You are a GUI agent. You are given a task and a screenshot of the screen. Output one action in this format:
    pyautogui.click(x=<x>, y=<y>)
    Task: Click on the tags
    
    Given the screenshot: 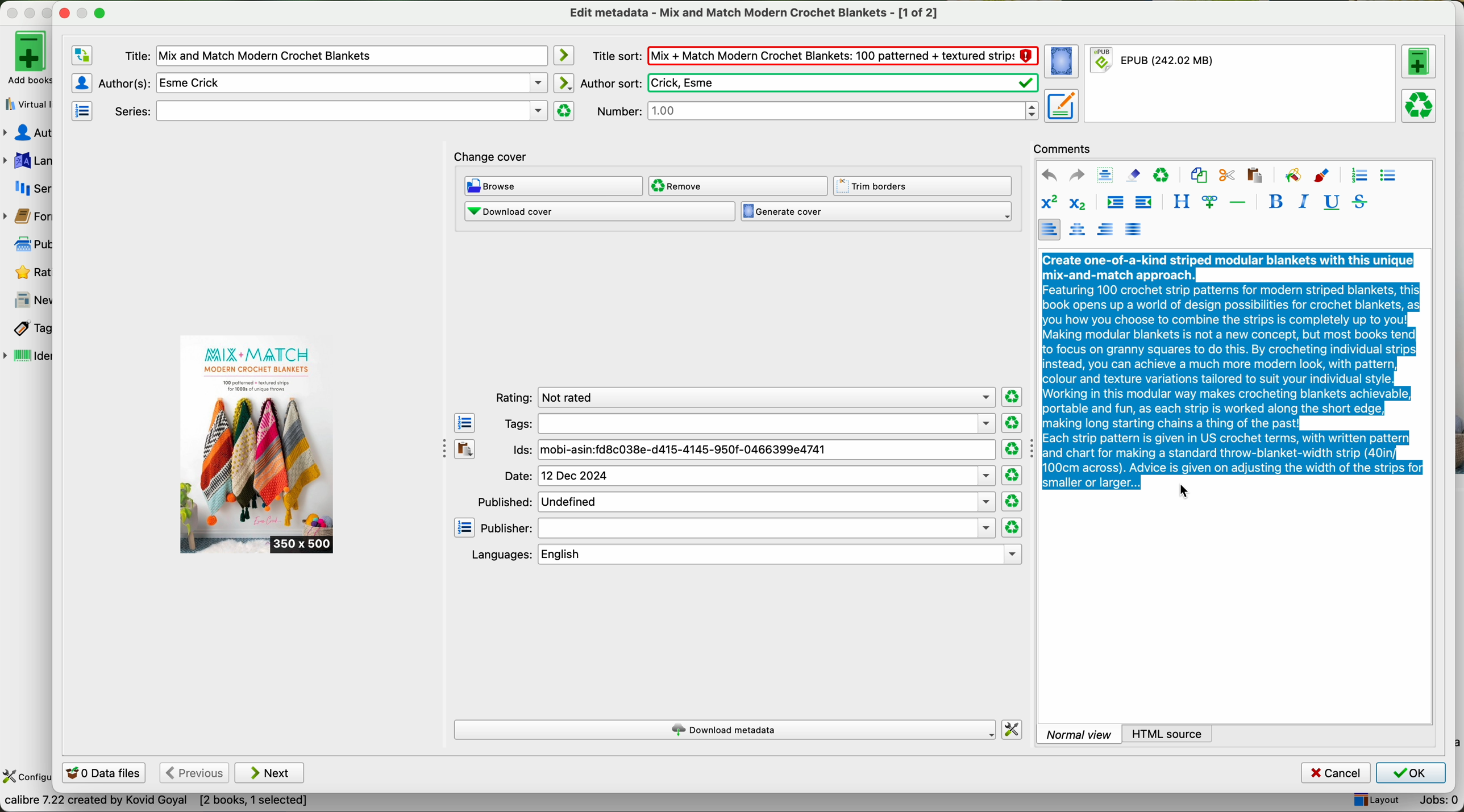 What is the action you would take?
    pyautogui.click(x=27, y=329)
    